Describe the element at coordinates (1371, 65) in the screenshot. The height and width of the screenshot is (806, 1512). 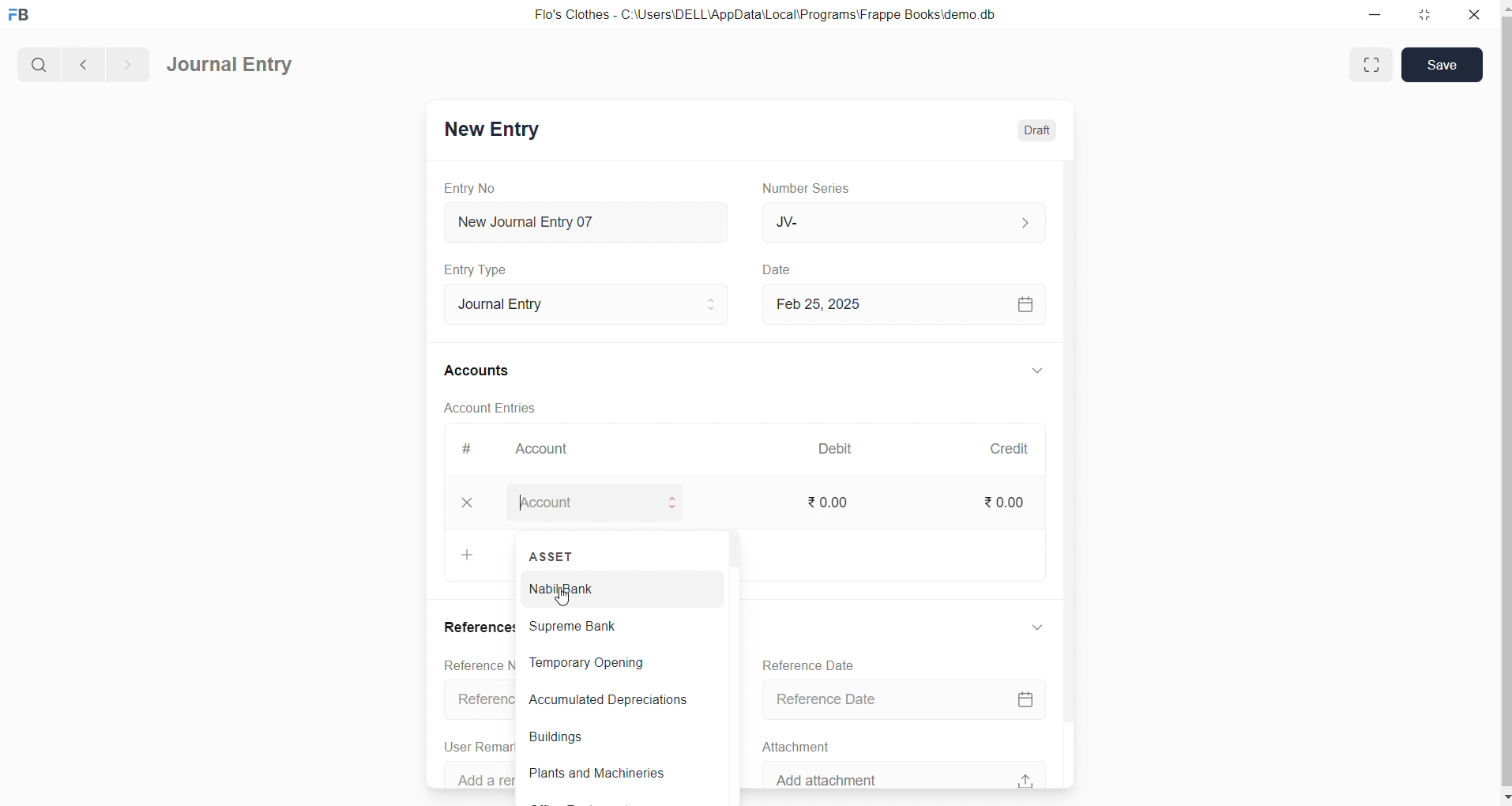
I see `maximize window` at that location.